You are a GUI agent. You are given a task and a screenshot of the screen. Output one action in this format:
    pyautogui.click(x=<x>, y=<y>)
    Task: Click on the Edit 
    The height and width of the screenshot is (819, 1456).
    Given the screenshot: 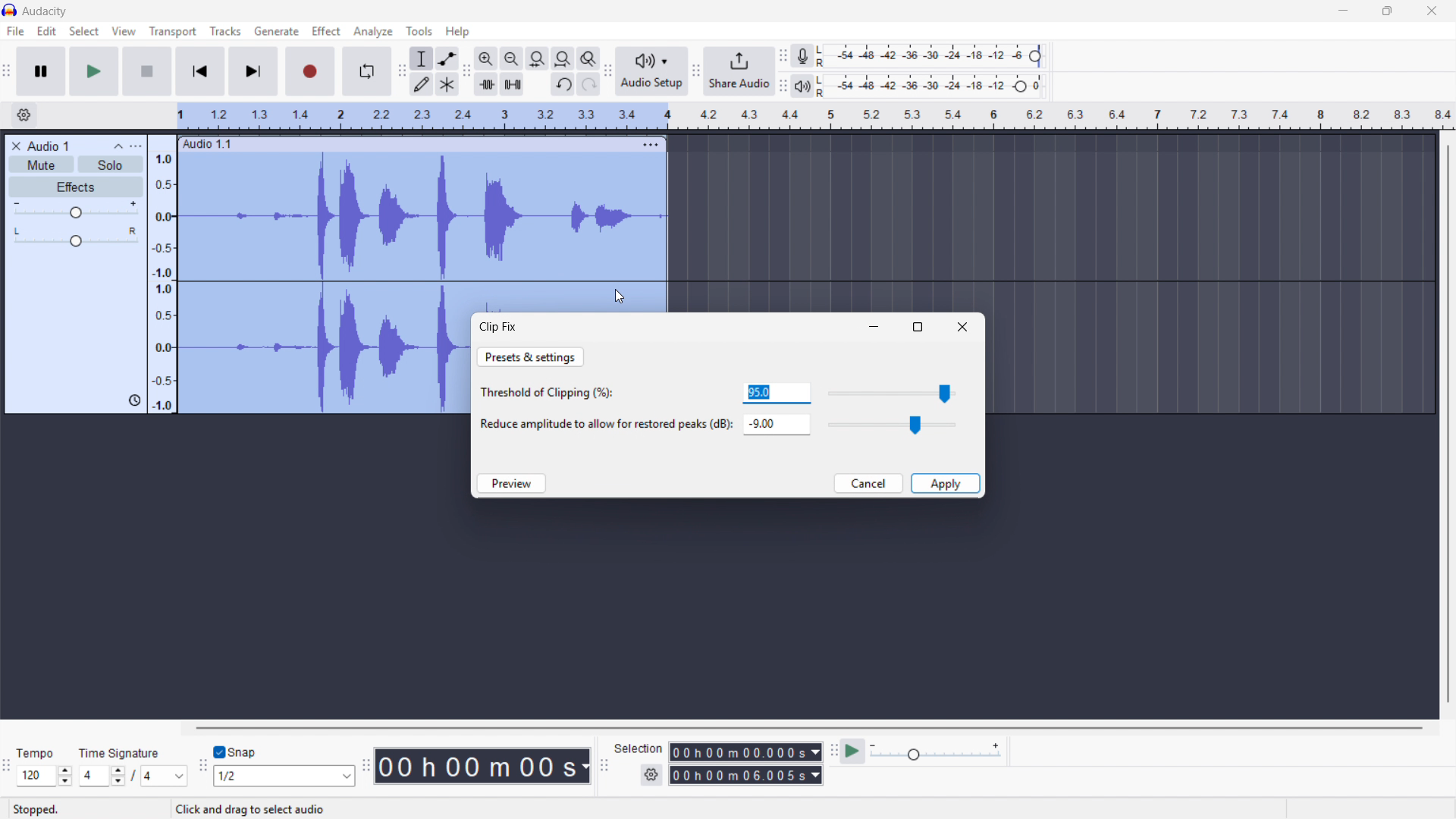 What is the action you would take?
    pyautogui.click(x=47, y=31)
    